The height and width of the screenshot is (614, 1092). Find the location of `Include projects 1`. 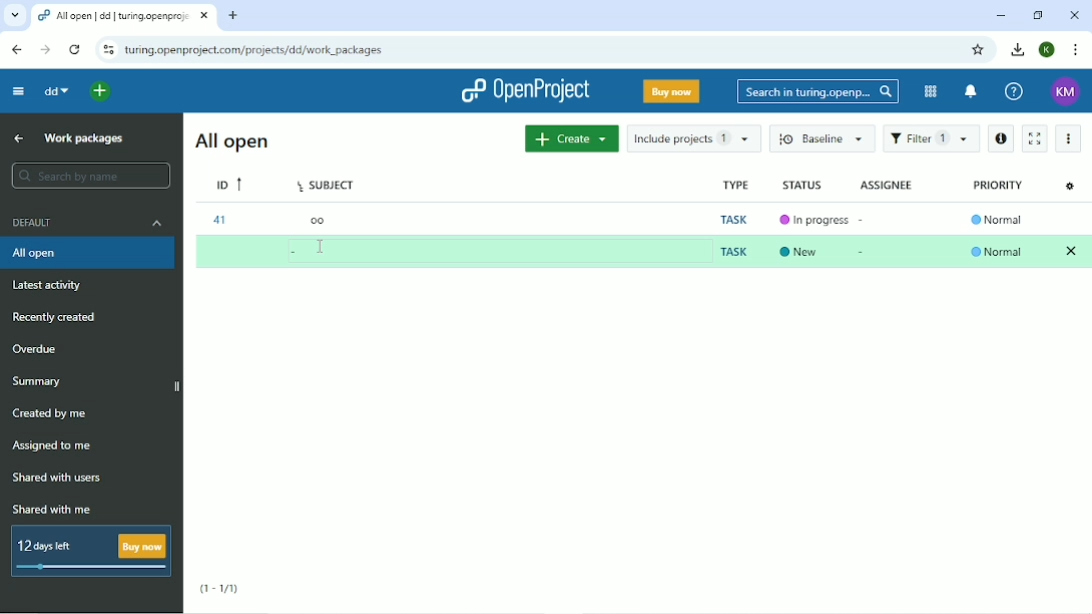

Include projects 1 is located at coordinates (692, 139).